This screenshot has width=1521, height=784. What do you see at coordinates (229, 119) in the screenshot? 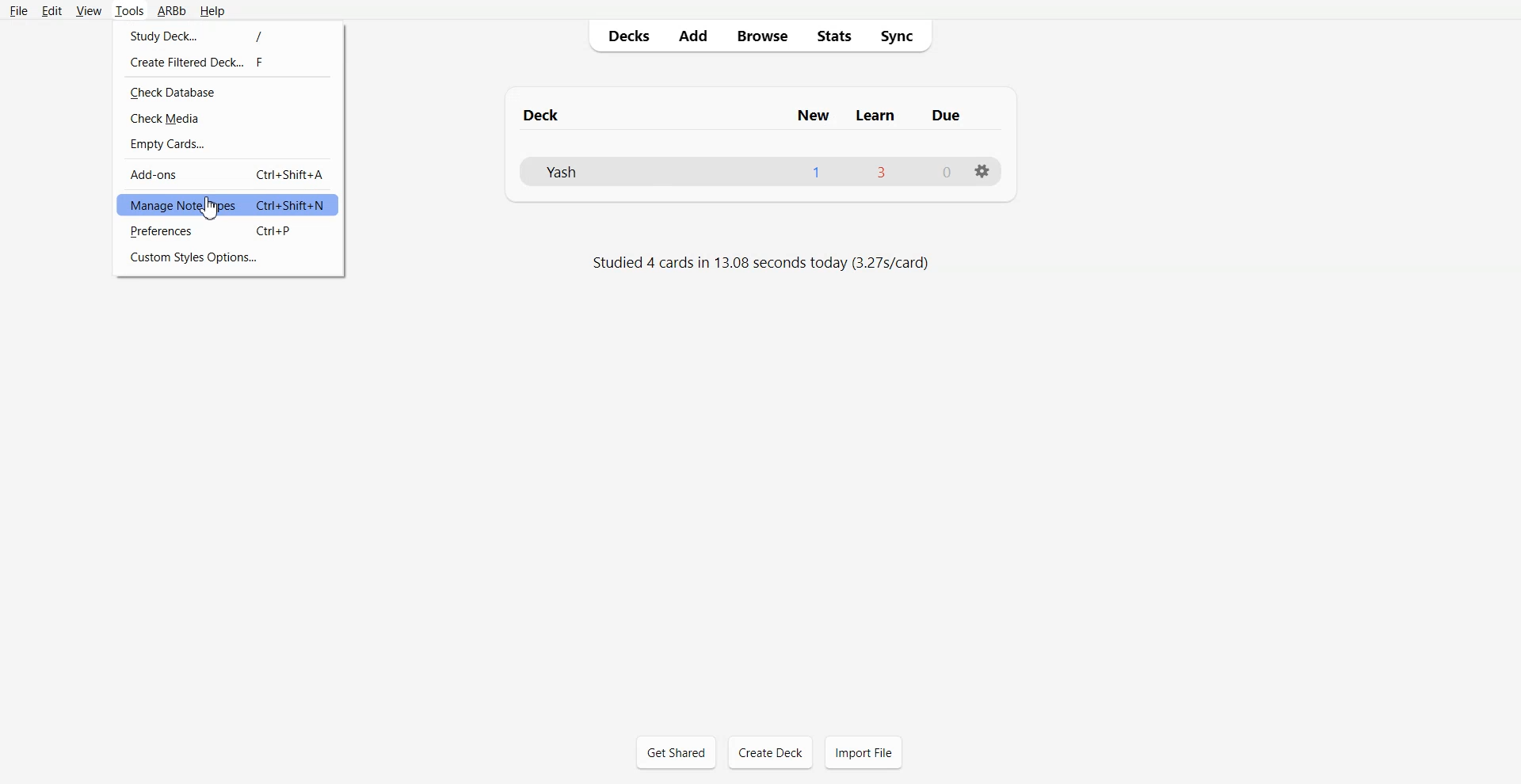
I see `Check Media` at bounding box center [229, 119].